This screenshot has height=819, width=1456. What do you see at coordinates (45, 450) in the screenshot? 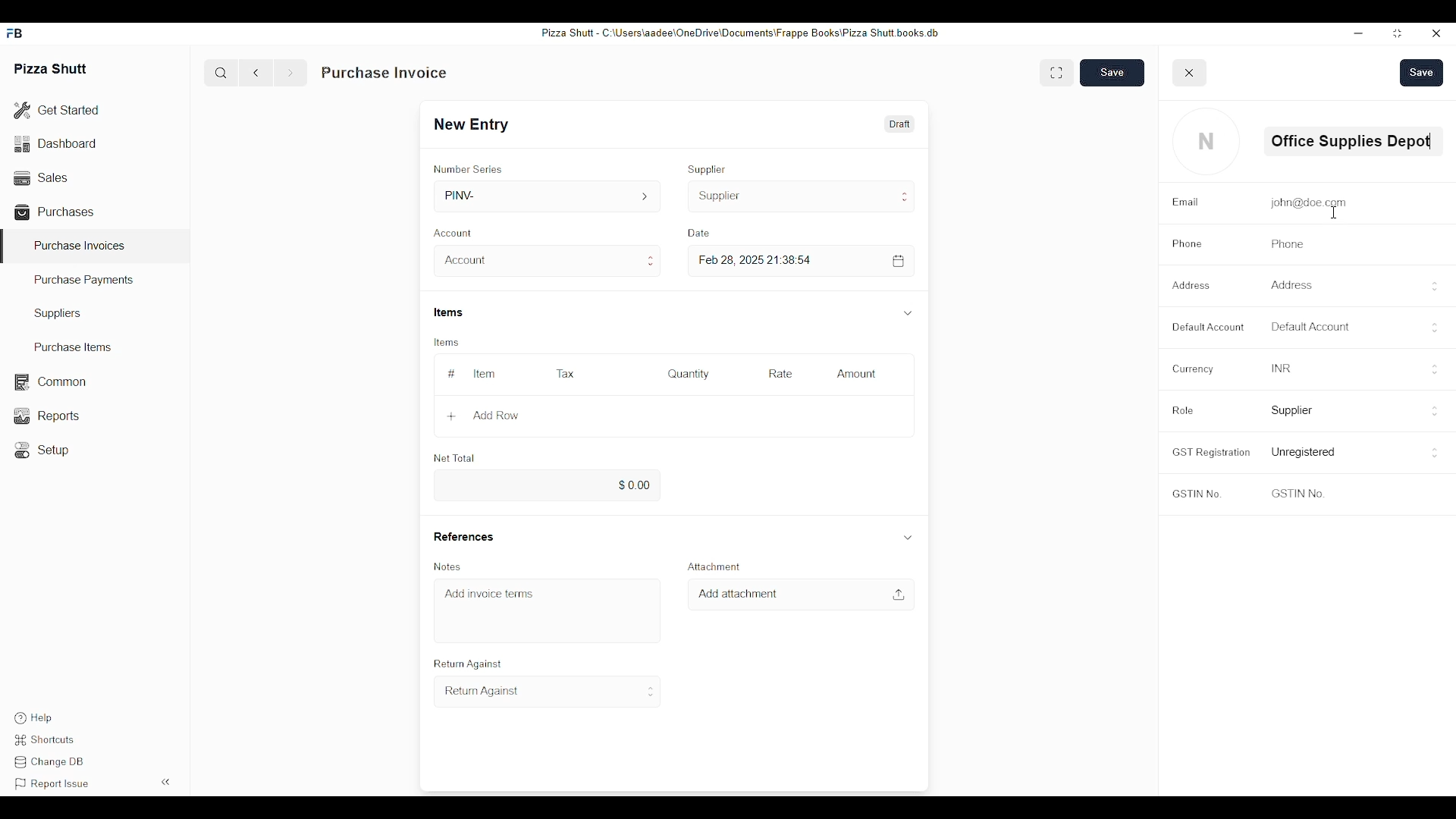
I see `Setup` at bounding box center [45, 450].